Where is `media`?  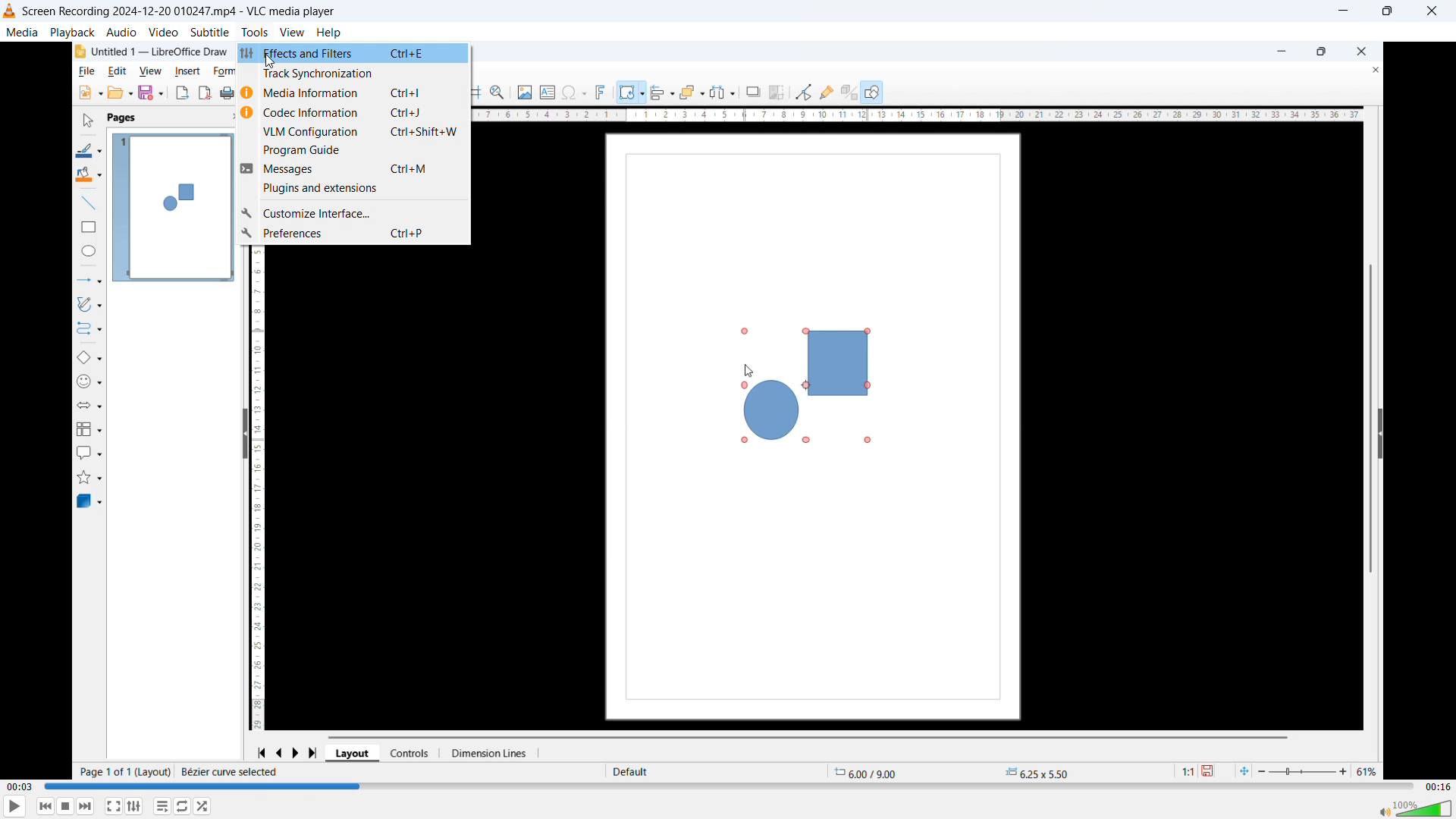 media is located at coordinates (22, 31).